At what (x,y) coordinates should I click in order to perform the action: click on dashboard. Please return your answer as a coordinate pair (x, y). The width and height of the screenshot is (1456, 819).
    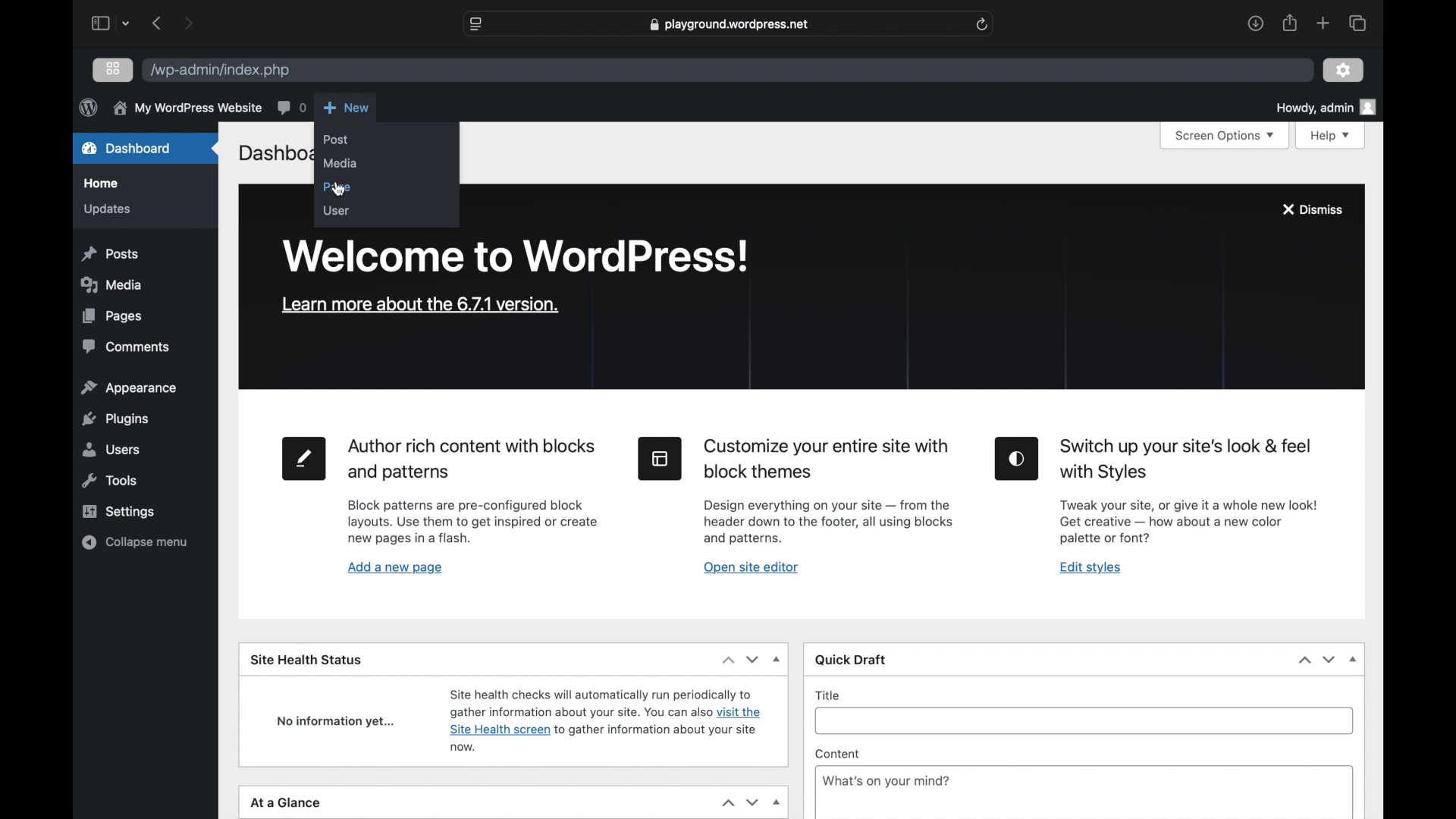
    Looking at the image, I should click on (127, 147).